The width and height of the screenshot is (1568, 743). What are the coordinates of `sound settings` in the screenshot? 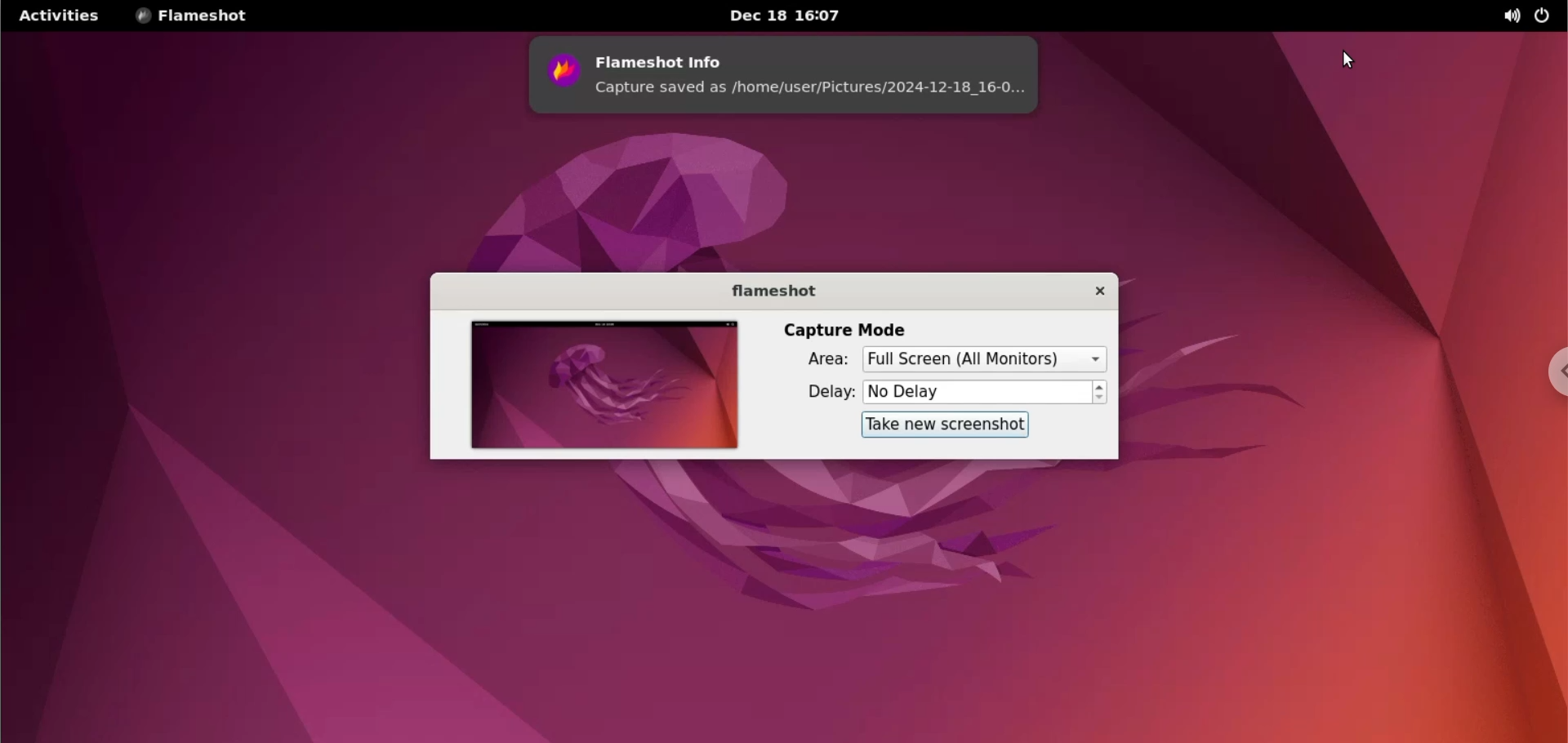 It's located at (1505, 16).